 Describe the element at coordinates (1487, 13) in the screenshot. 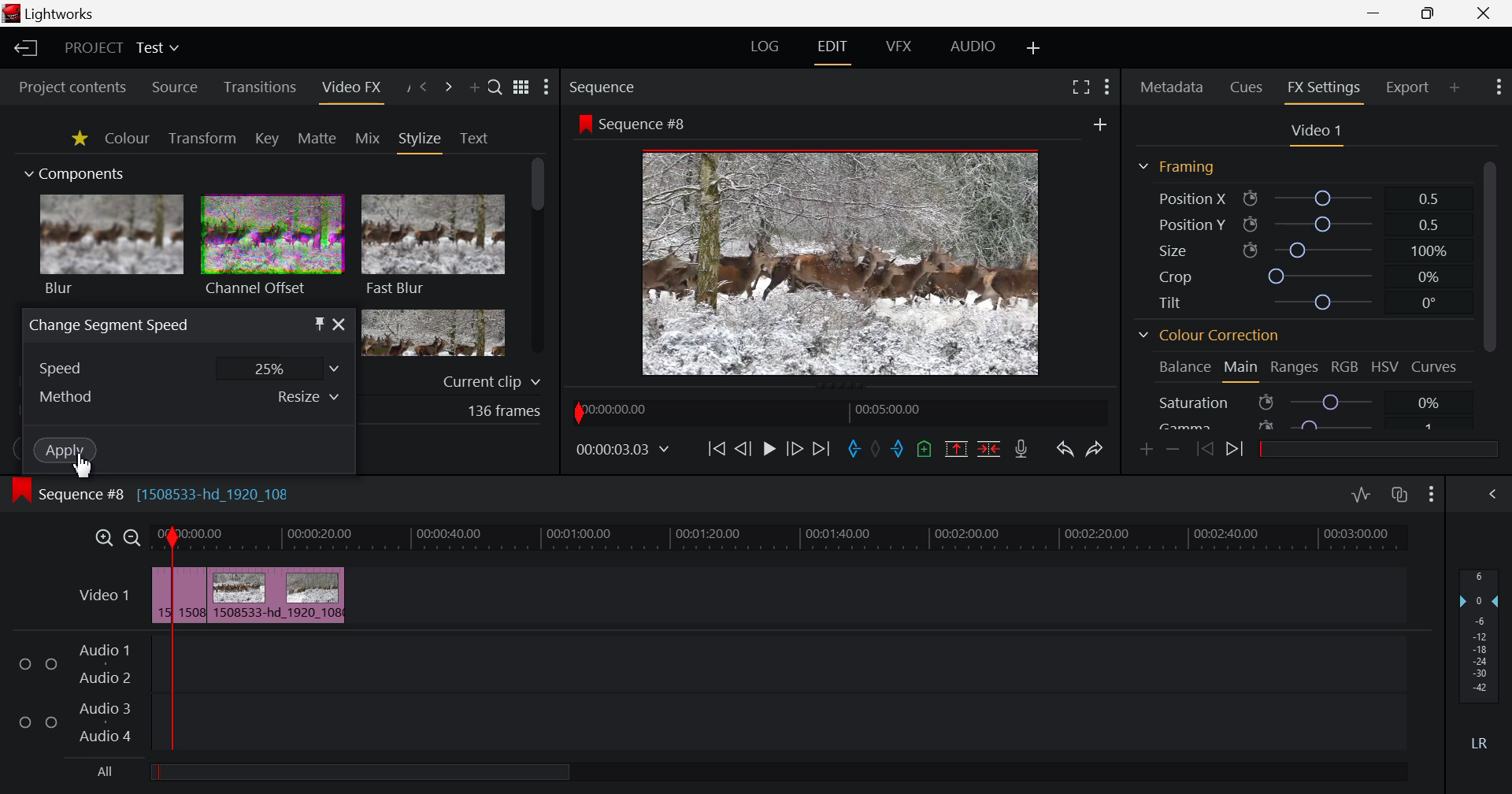

I see `Close` at that location.